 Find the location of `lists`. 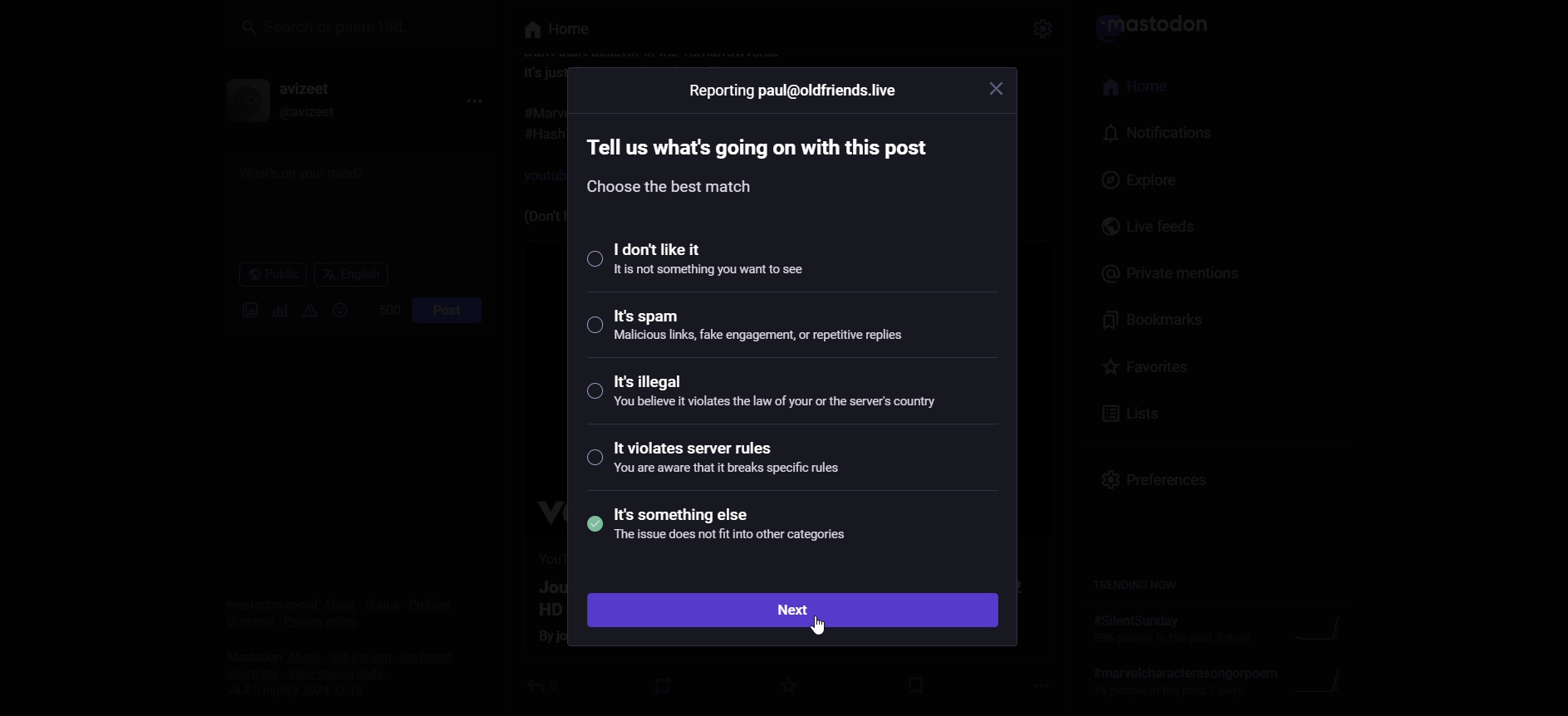

lists is located at coordinates (1126, 414).